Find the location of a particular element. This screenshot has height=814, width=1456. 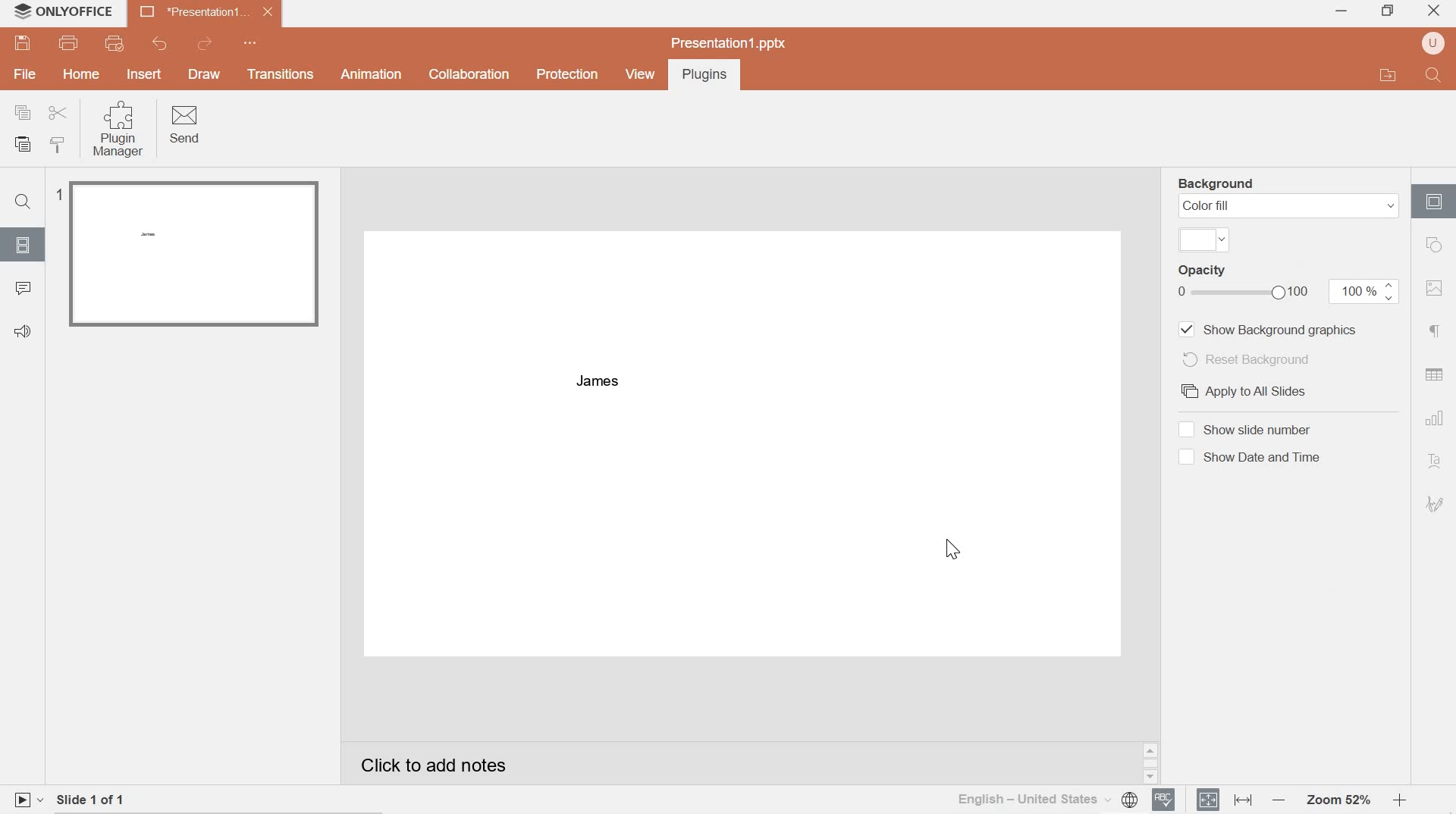

view is located at coordinates (639, 74).